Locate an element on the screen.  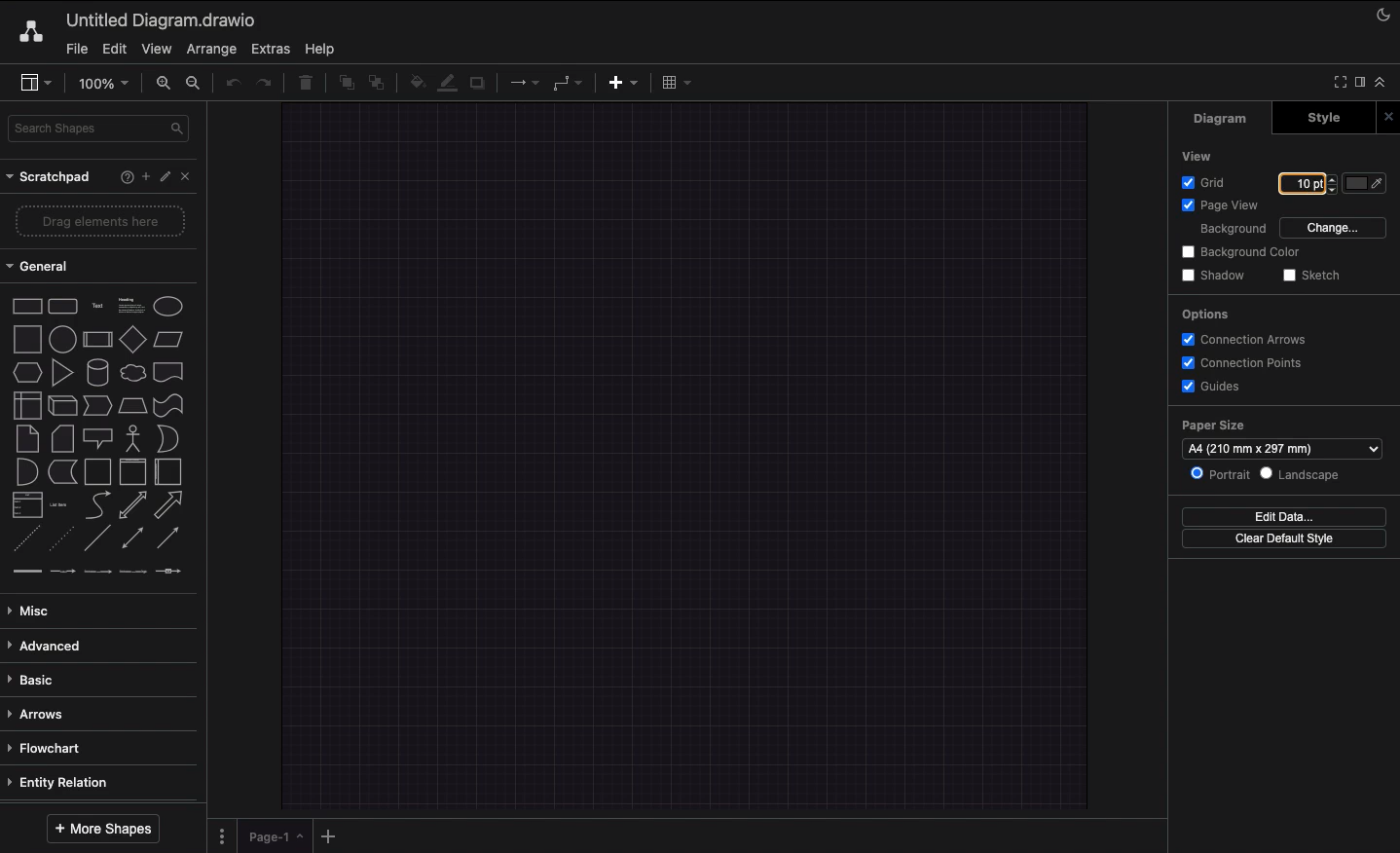
Pages is located at coordinates (220, 835).